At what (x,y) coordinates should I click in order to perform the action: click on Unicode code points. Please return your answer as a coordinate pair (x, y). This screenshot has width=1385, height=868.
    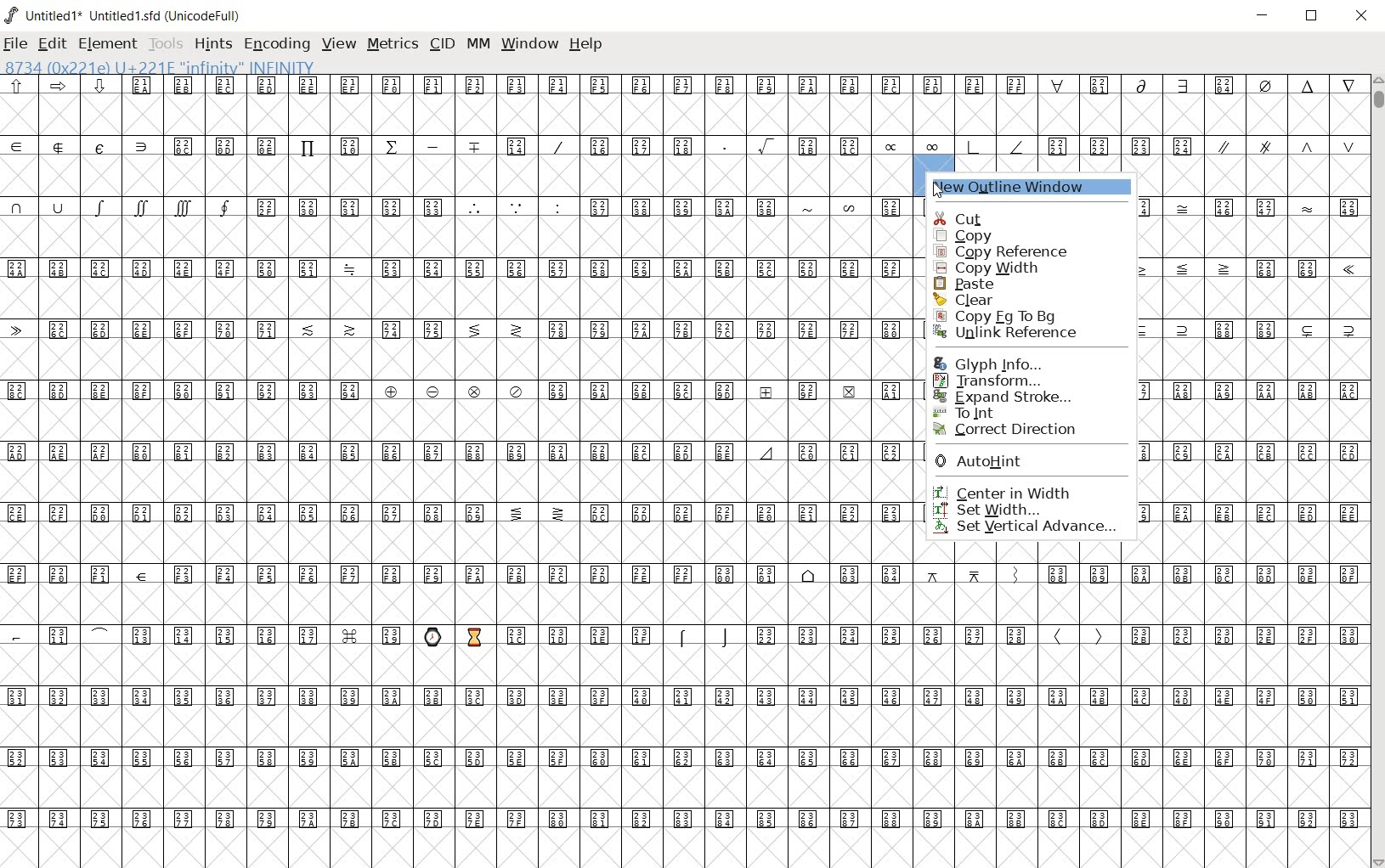
    Looking at the image, I should click on (459, 392).